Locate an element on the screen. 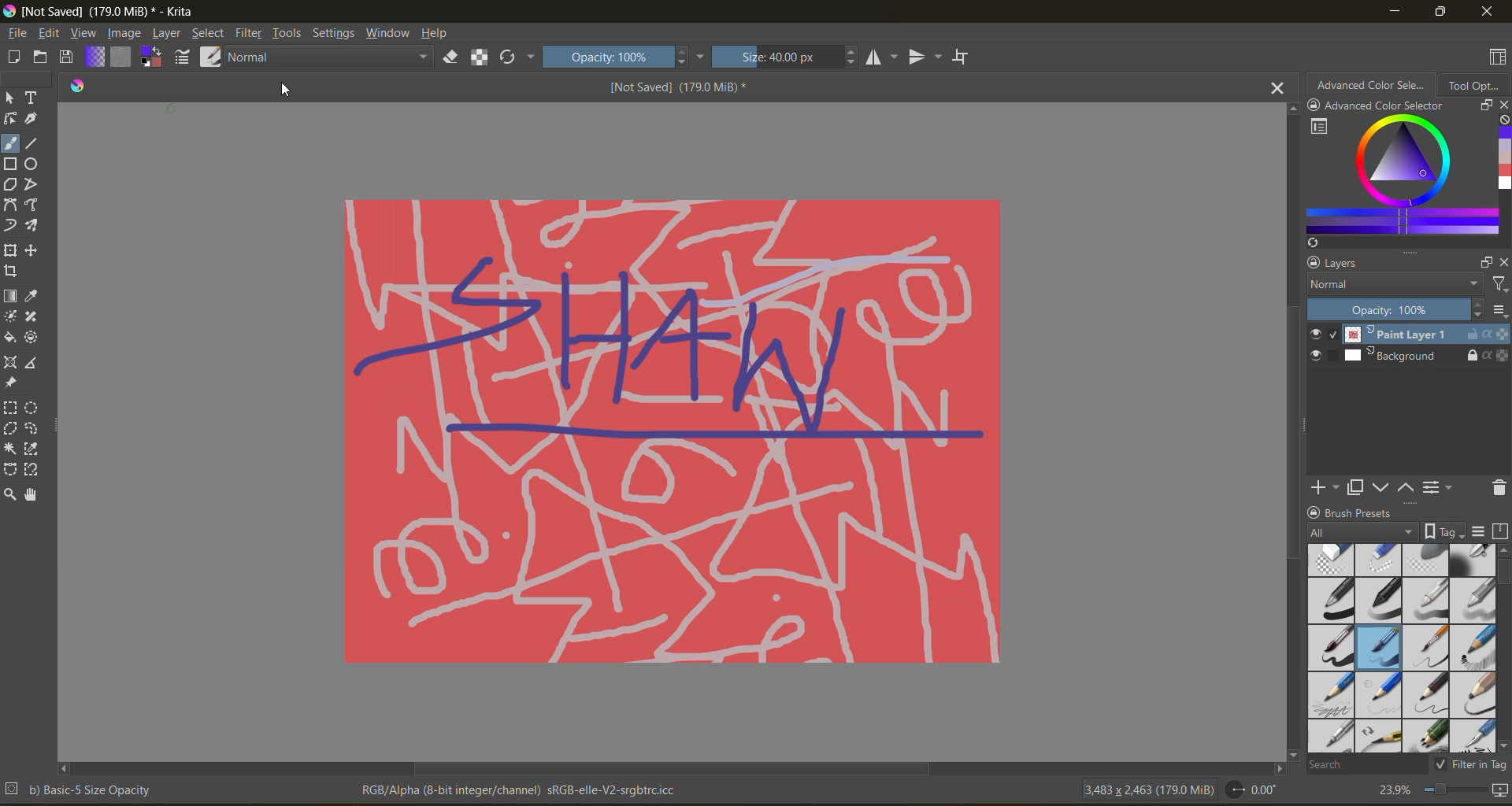 This screenshot has width=1512, height=806. b) Basic-5 Size Opacity is located at coordinates (80, 789).